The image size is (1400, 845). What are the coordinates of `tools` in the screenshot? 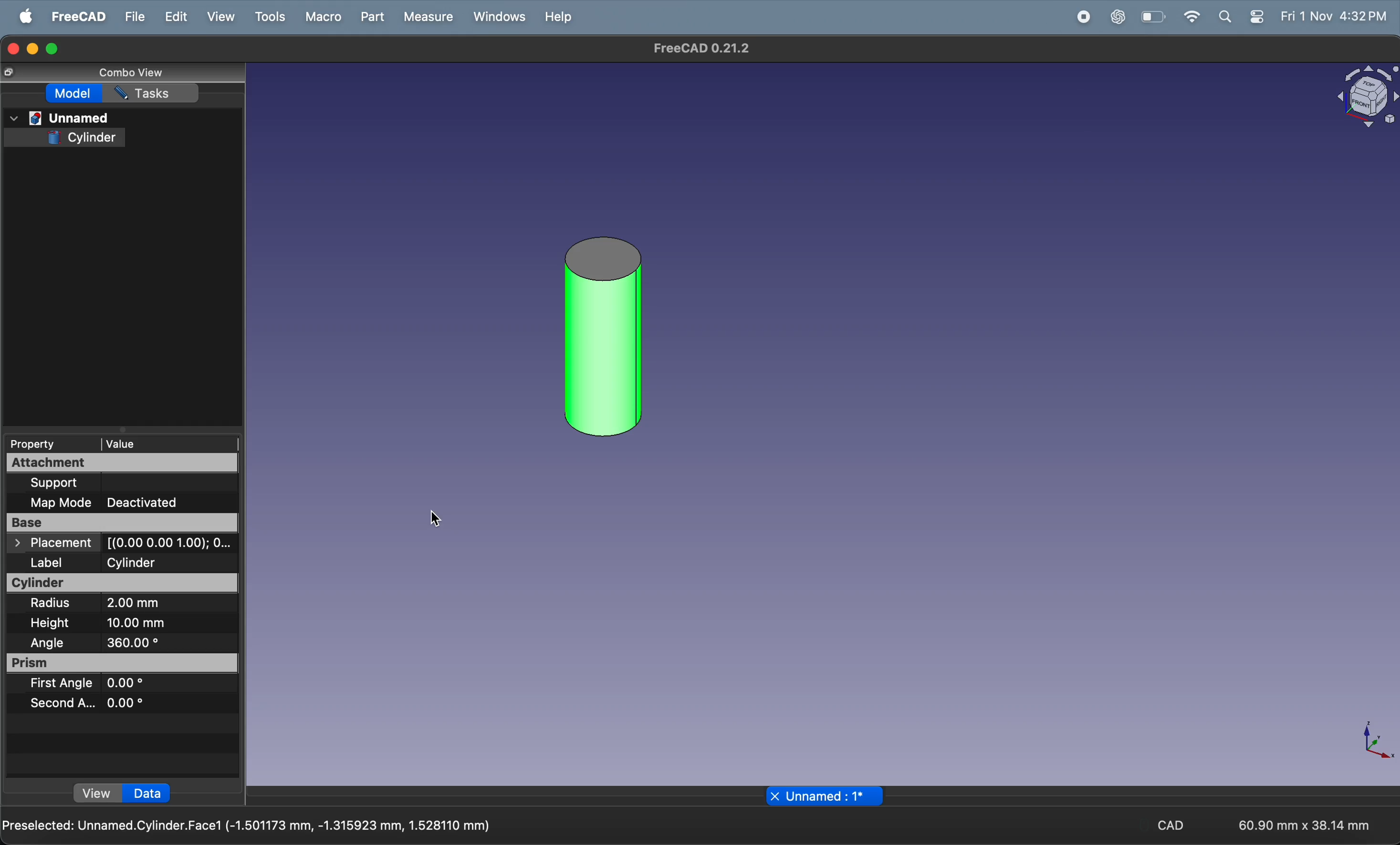 It's located at (269, 17).